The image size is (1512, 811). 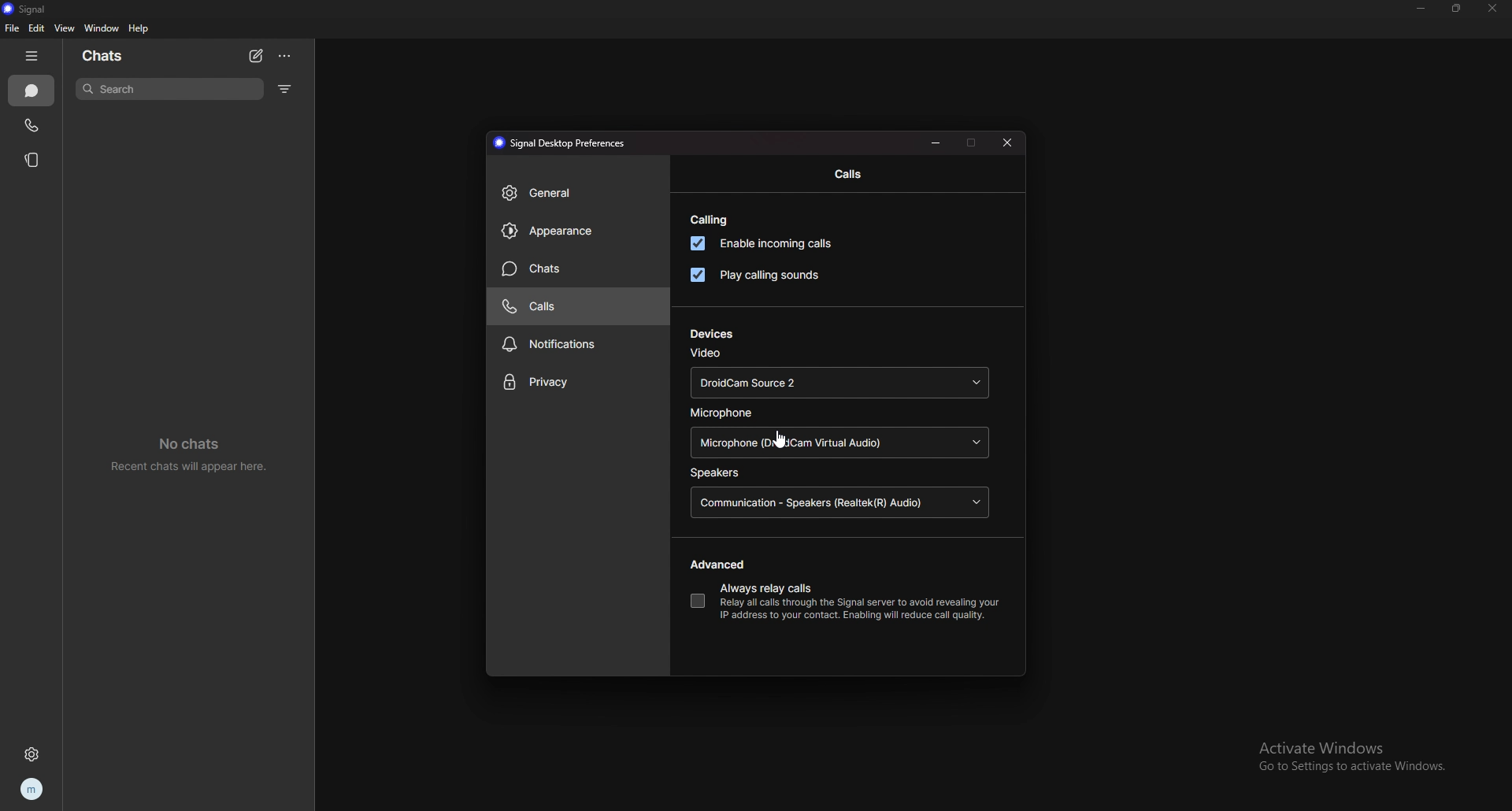 I want to click on window, so click(x=103, y=28).